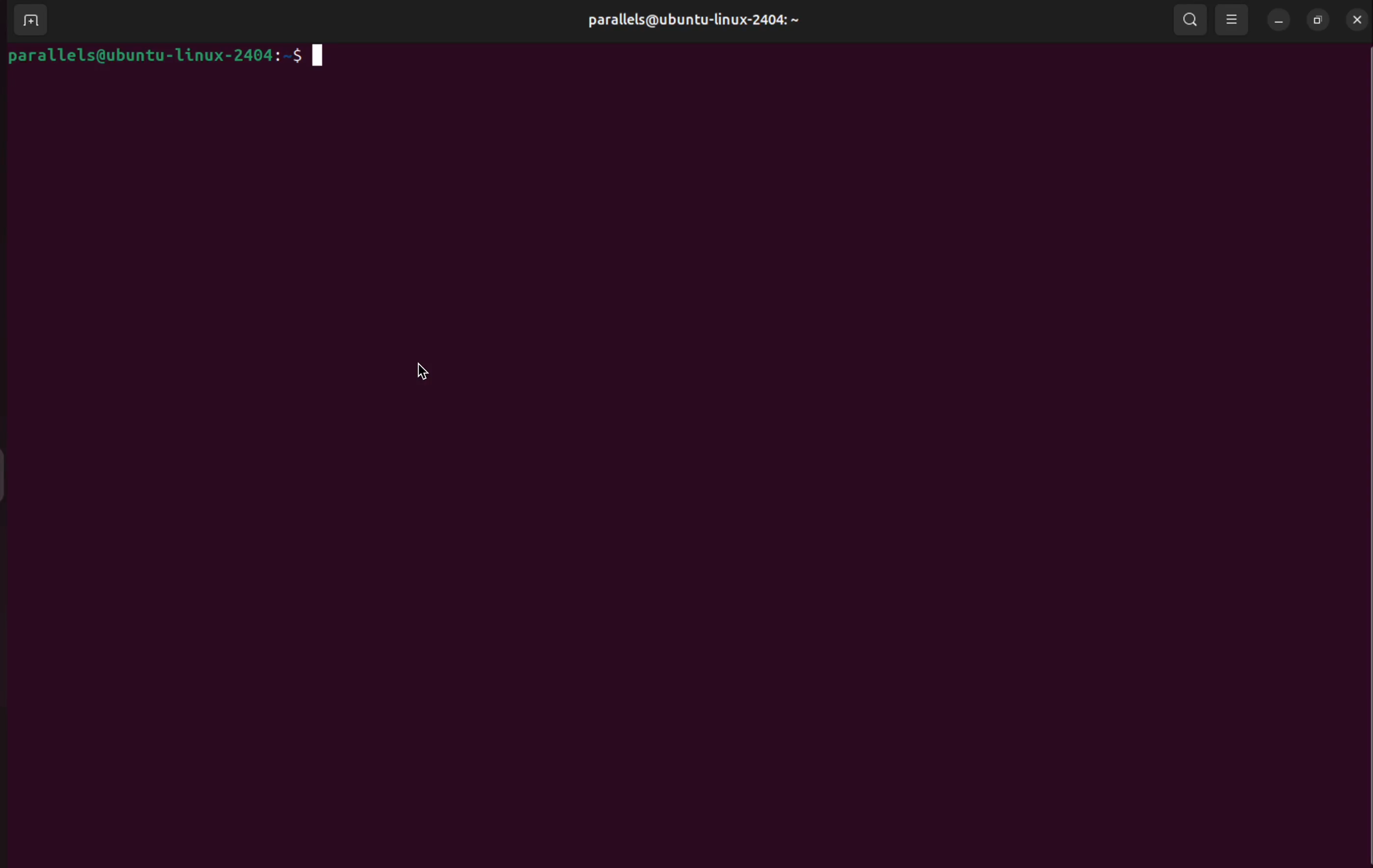 The image size is (1373, 868). I want to click on parallels, so click(689, 20).